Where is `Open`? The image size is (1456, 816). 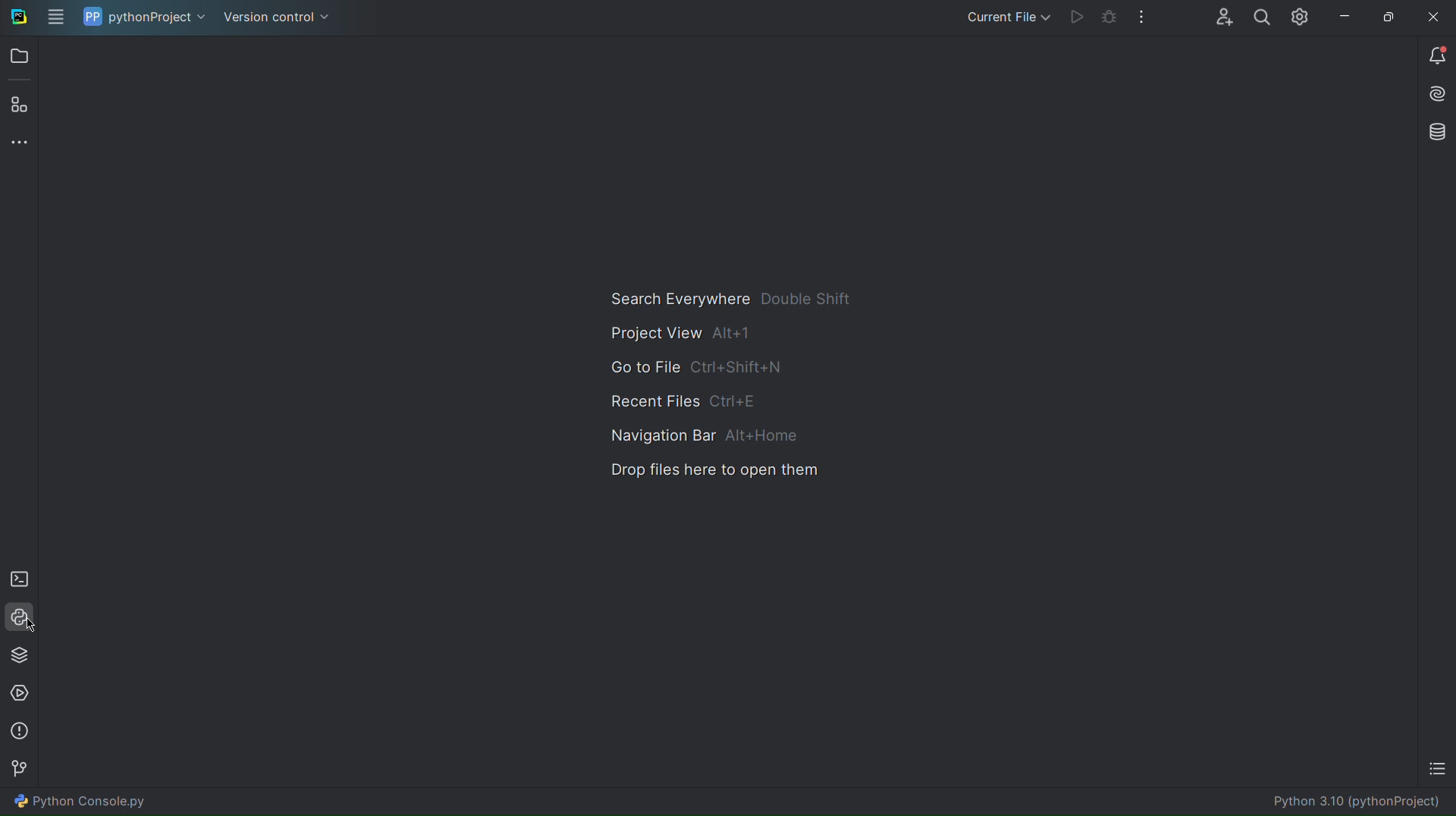
Open is located at coordinates (21, 59).